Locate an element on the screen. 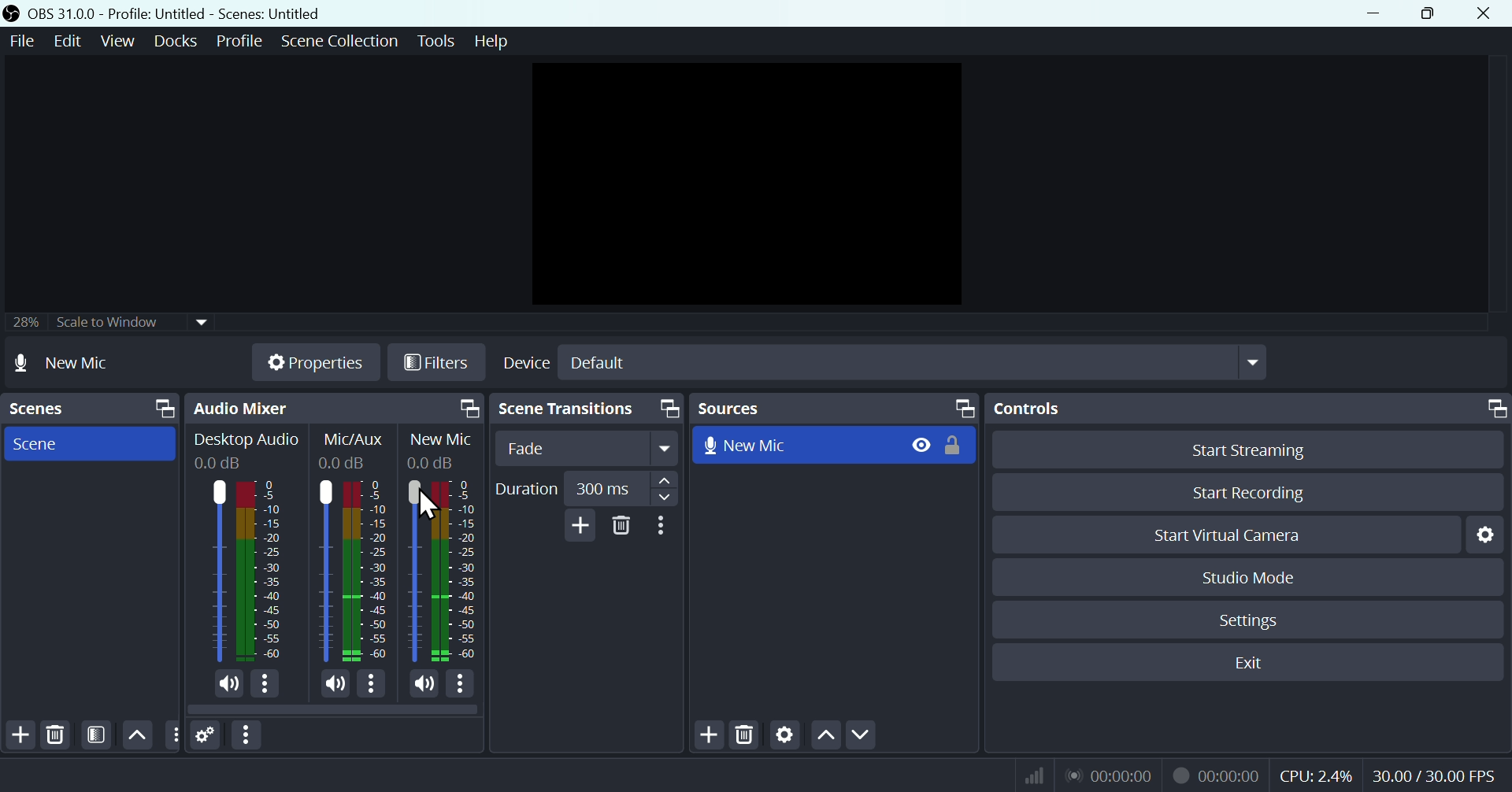 Image resolution: width=1512 pixels, height=792 pixels. Scene transitions is located at coordinates (584, 410).